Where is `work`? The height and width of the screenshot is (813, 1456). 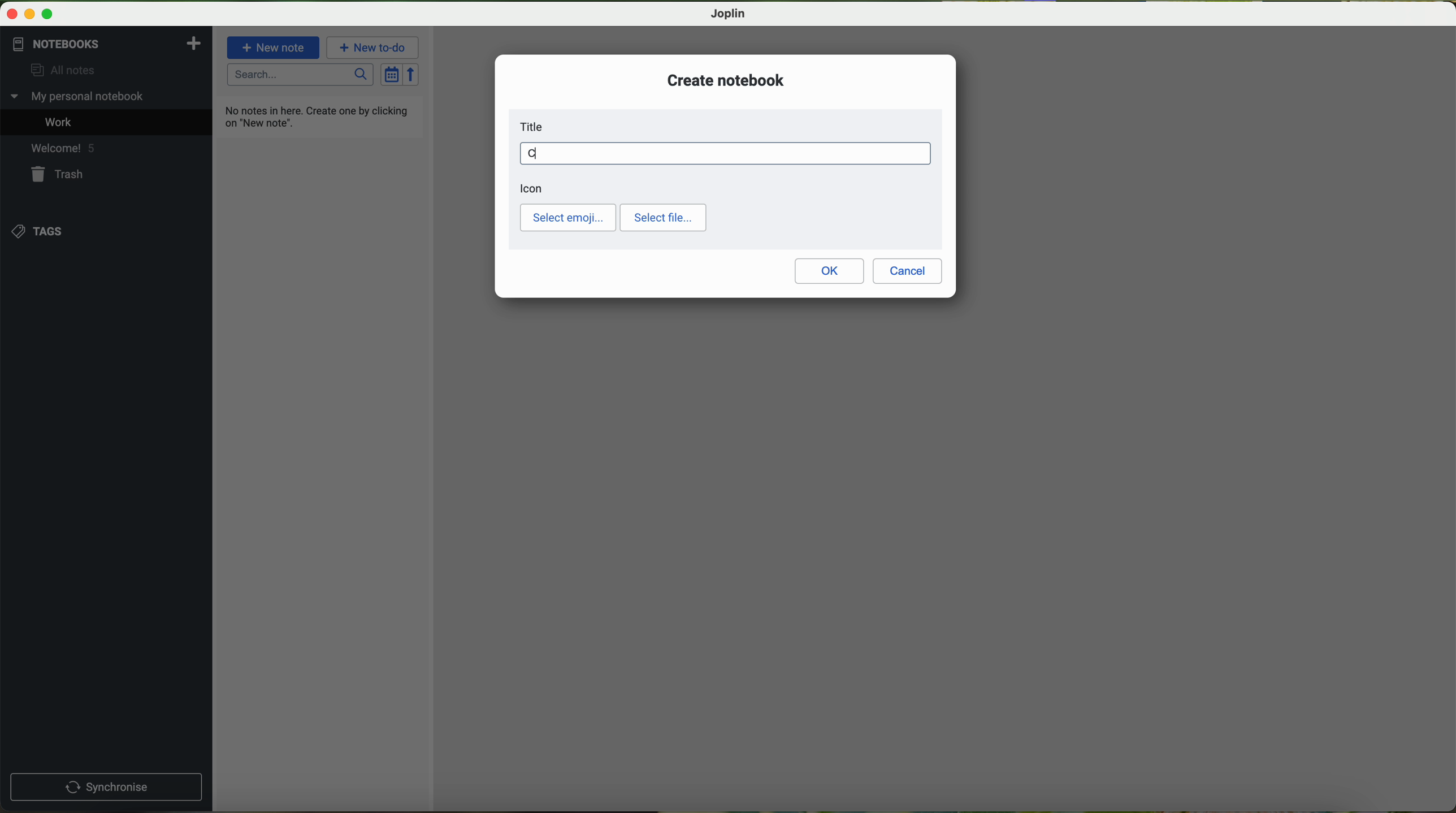
work is located at coordinates (61, 121).